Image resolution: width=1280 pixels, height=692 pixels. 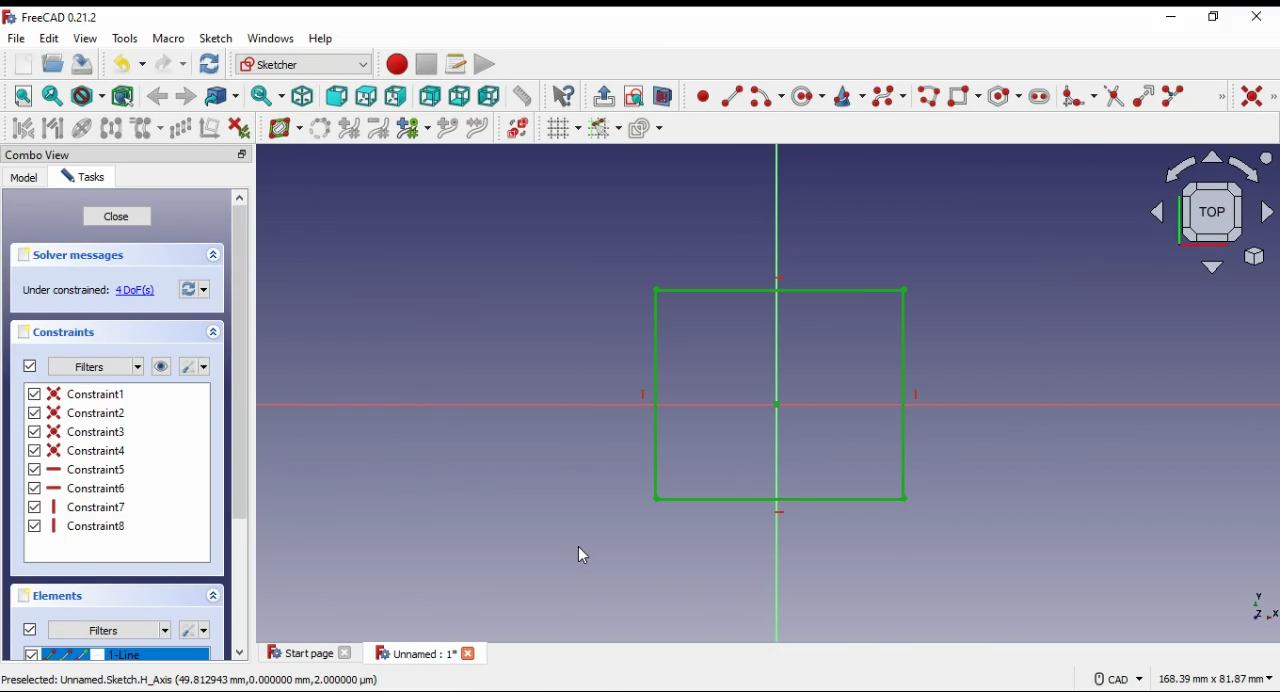 I want to click on select view, so click(x=1208, y=212).